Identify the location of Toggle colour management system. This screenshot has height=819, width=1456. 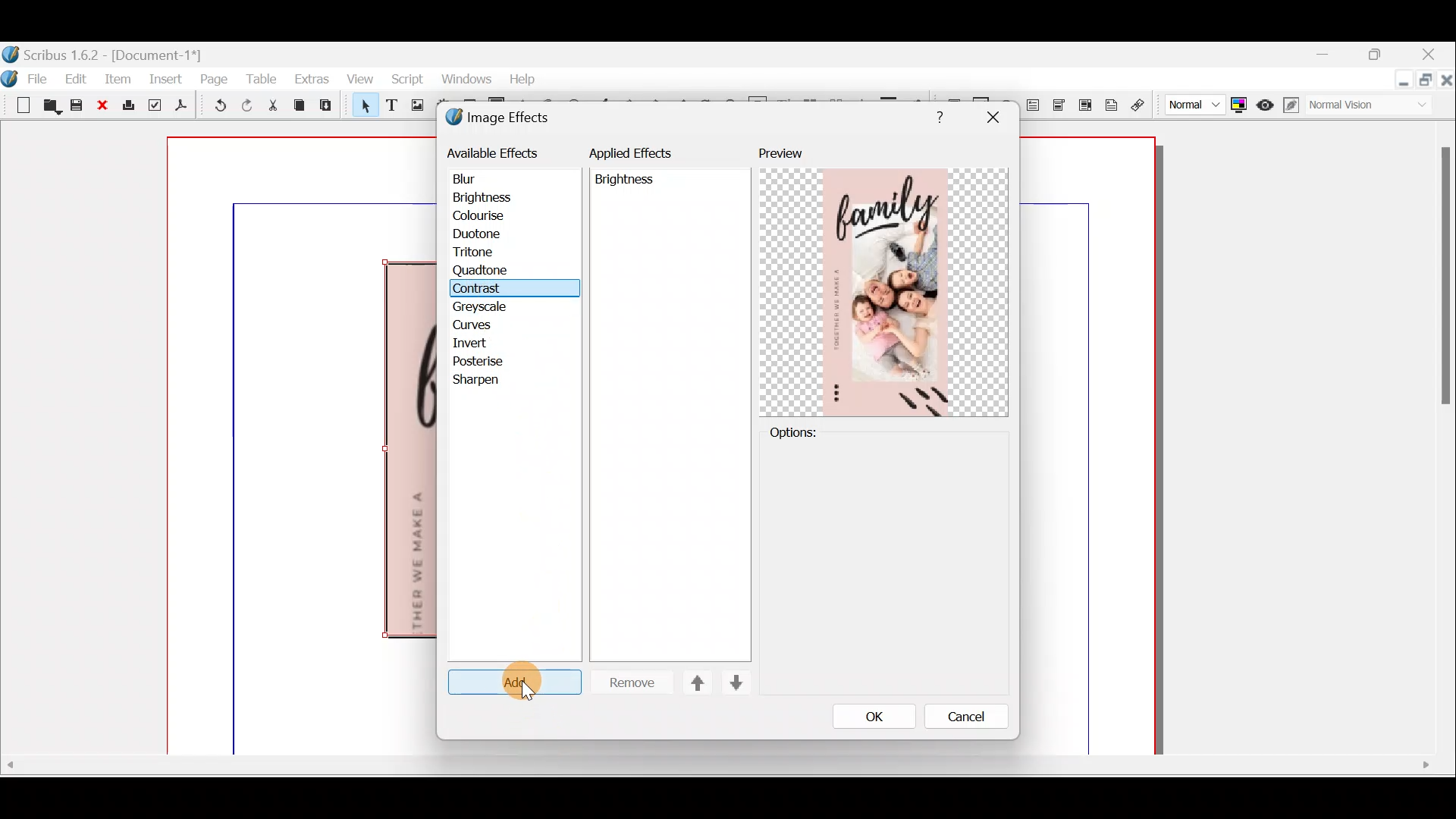
(1238, 102).